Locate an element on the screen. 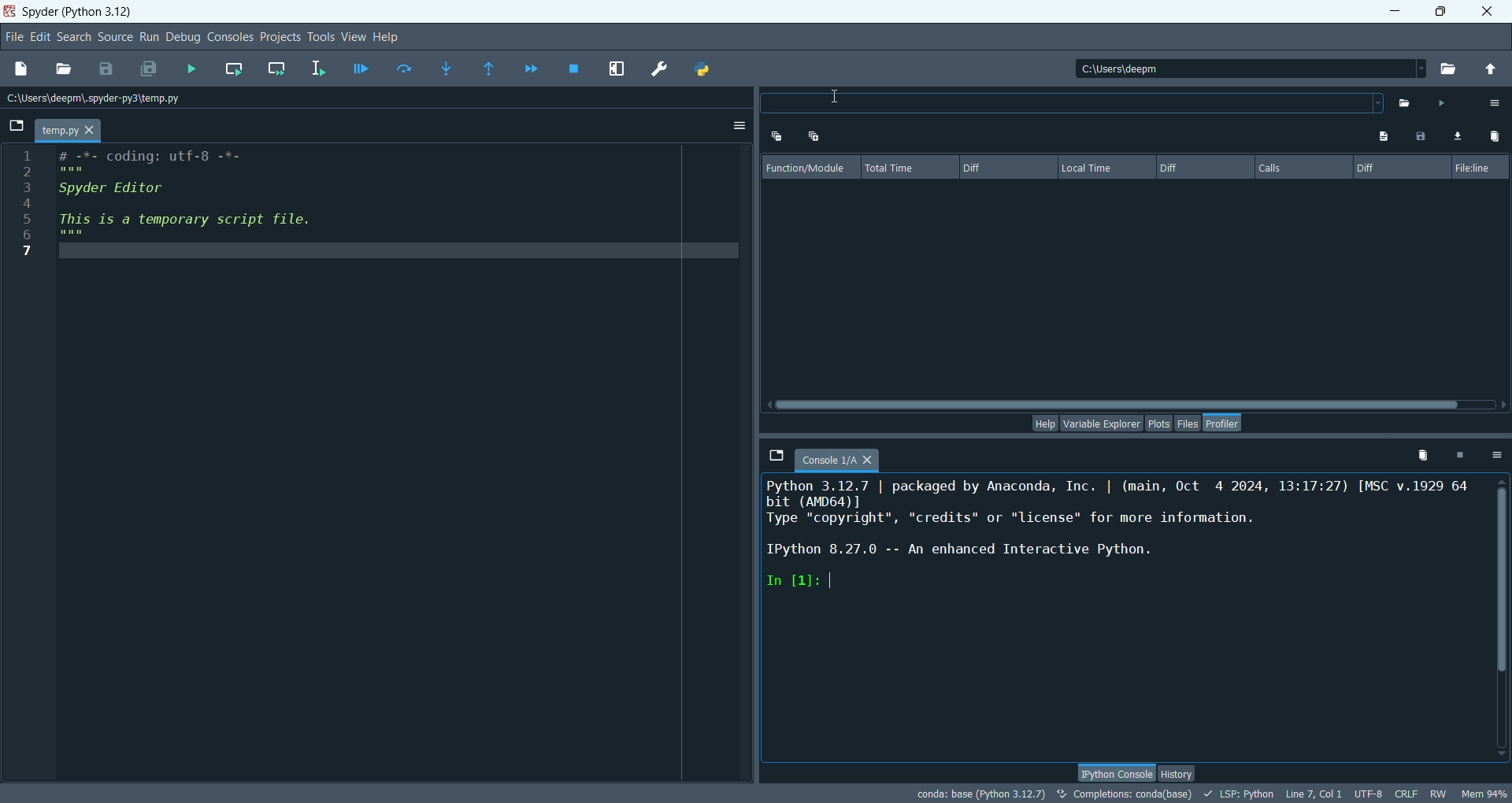 This screenshot has height=803, width=1512. history is located at coordinates (1180, 773).